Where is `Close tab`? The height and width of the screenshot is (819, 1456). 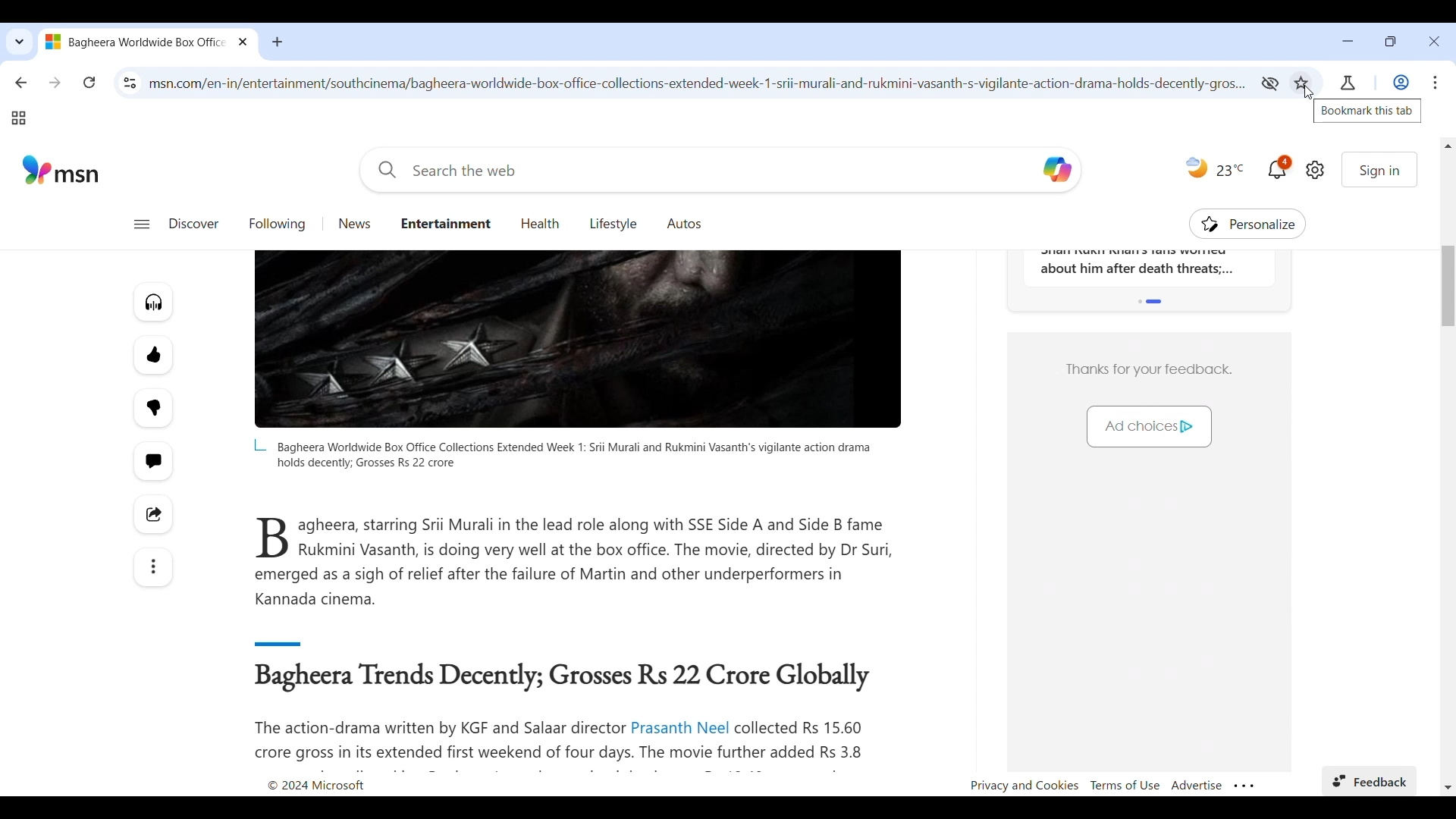
Close tab is located at coordinates (244, 41).